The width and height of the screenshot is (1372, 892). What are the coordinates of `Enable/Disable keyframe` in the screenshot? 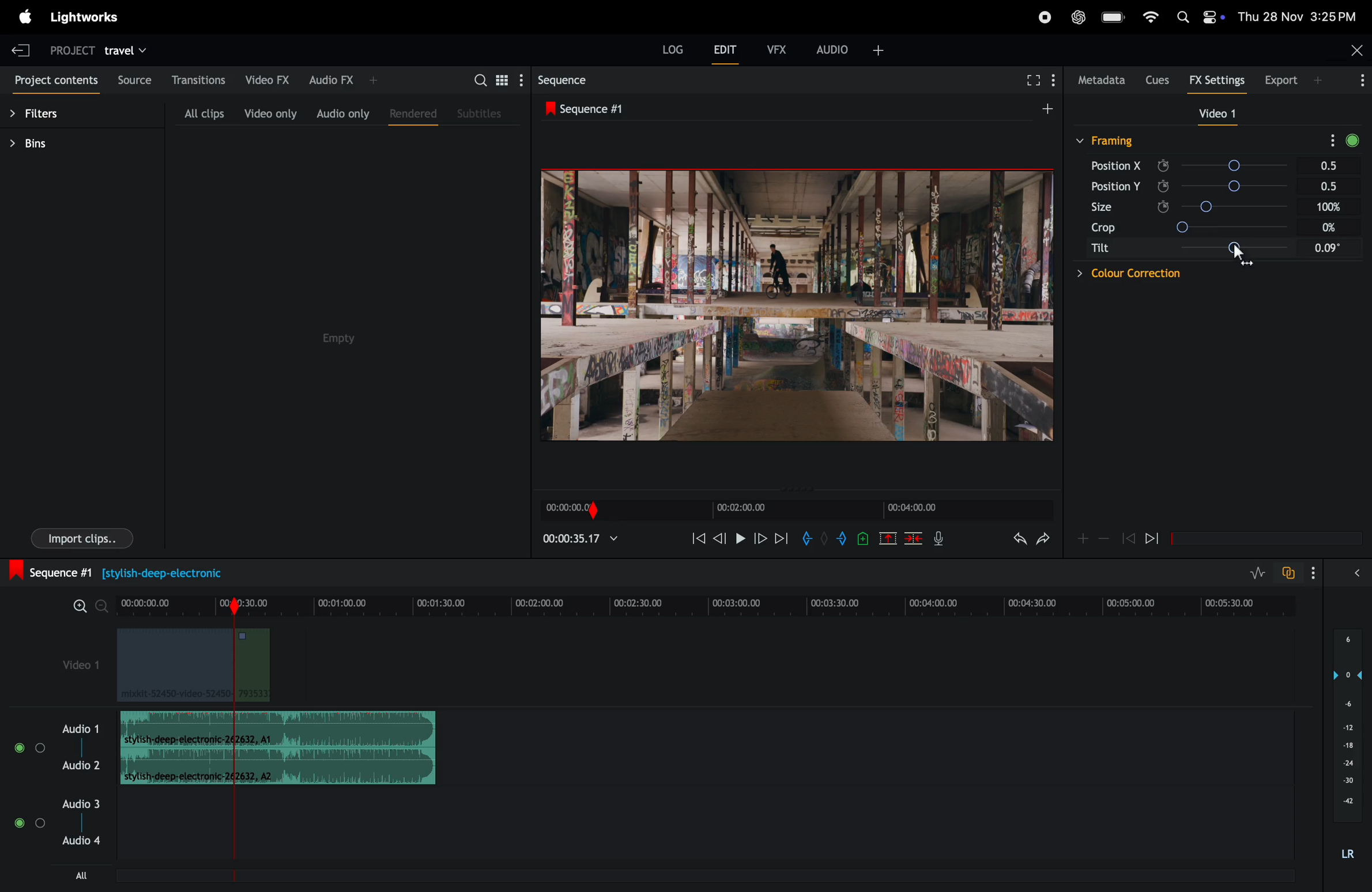 It's located at (1164, 165).